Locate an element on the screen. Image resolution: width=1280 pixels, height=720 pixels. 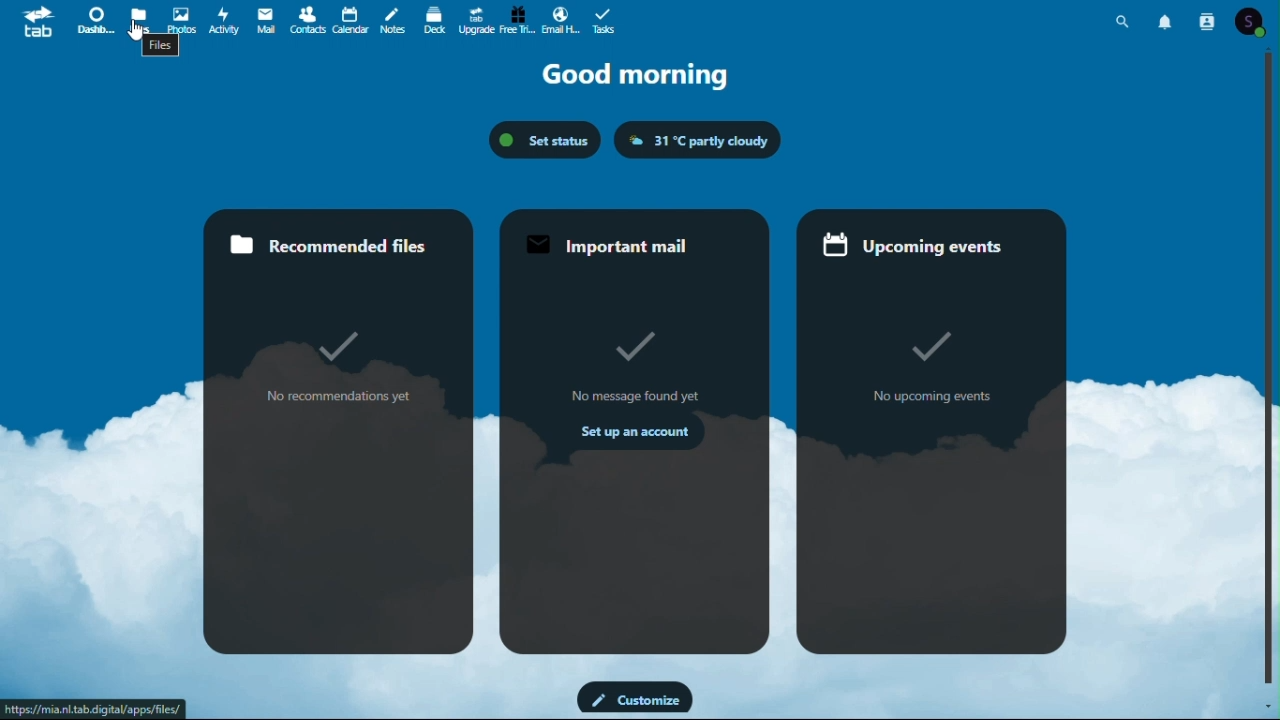
Important mail is located at coordinates (630, 244).